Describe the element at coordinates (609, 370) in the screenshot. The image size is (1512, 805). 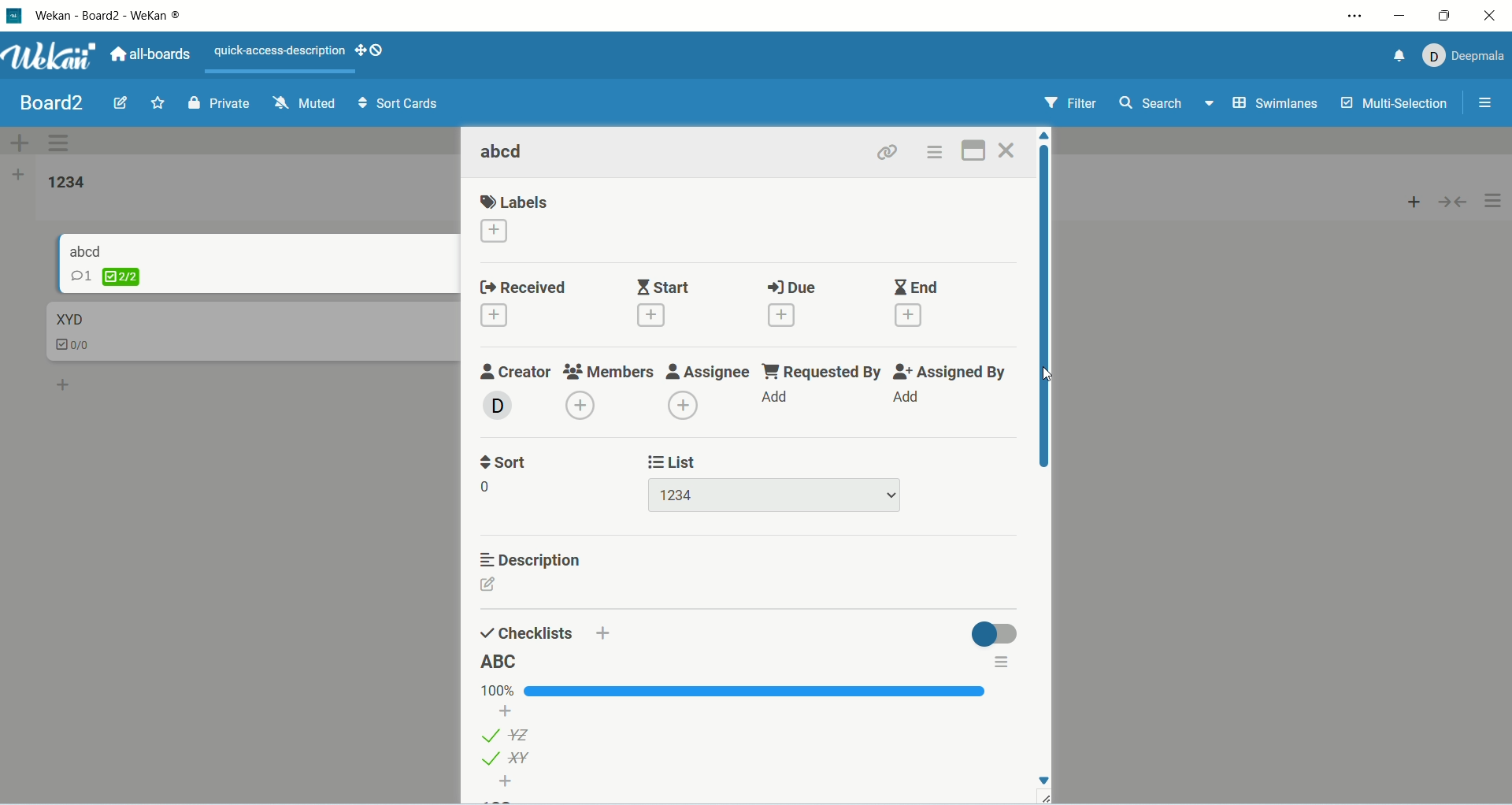
I see `members` at that location.